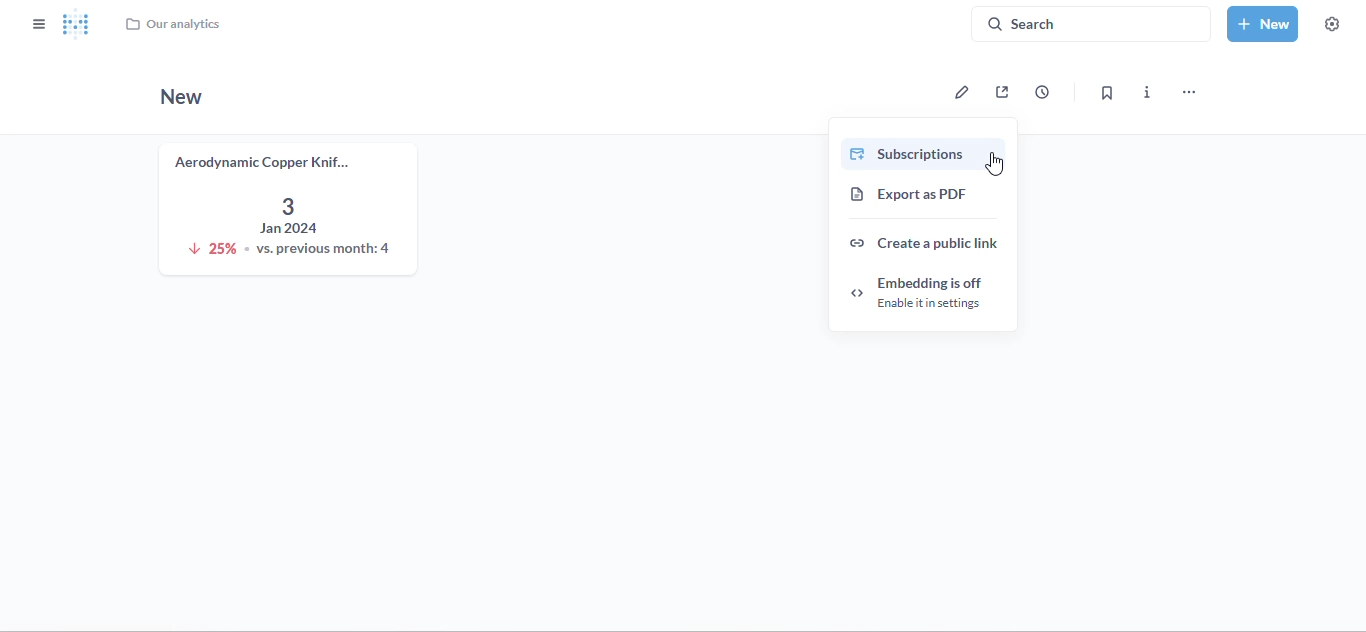 This screenshot has width=1366, height=632. What do you see at coordinates (994, 165) in the screenshot?
I see `cursor` at bounding box center [994, 165].